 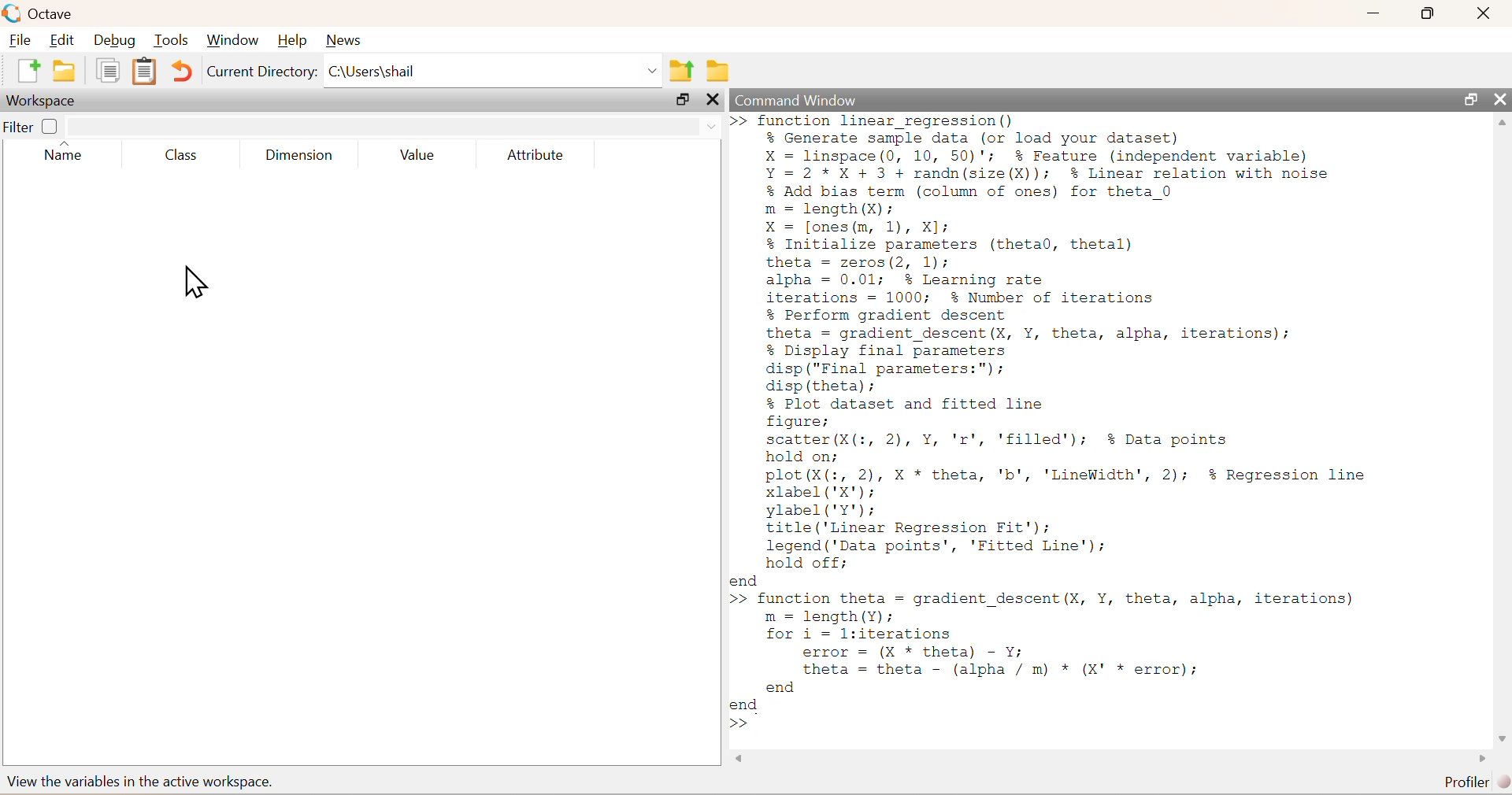 I want to click on folder, so click(x=717, y=72).